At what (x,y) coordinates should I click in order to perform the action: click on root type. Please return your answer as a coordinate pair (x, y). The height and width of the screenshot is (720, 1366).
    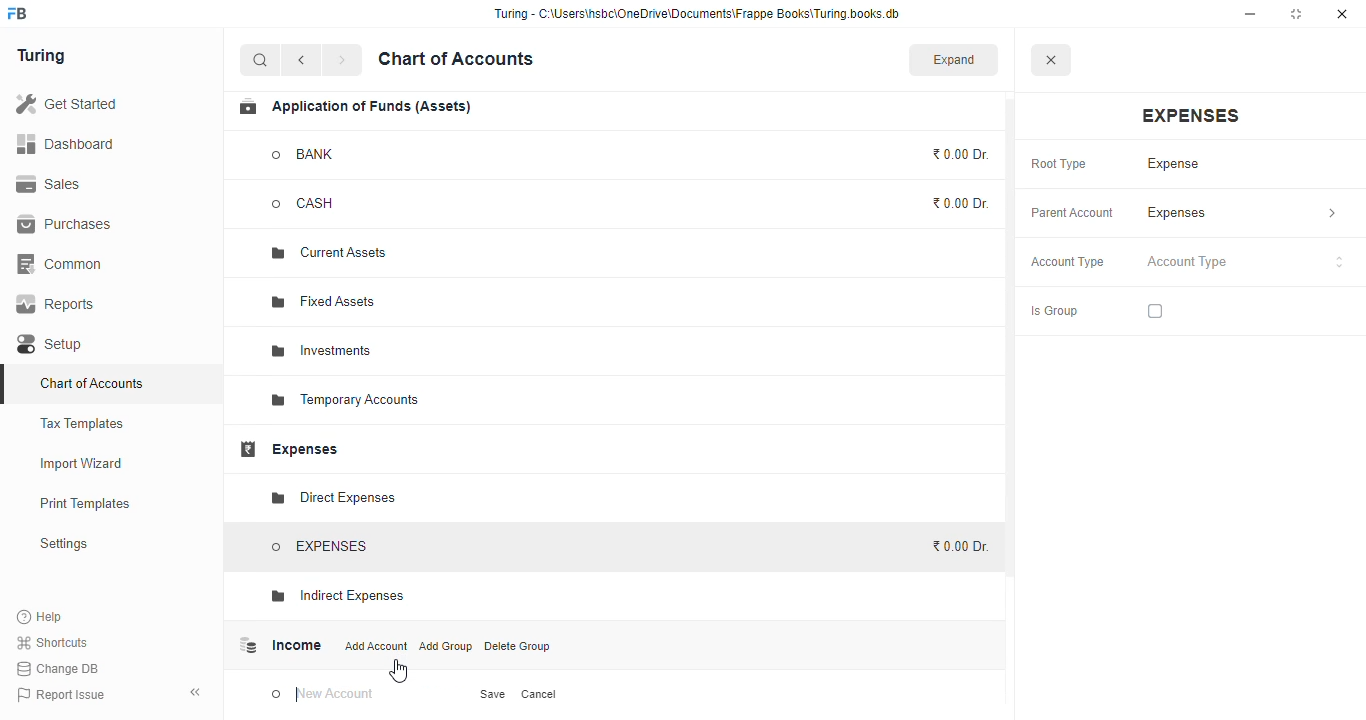
    Looking at the image, I should click on (1059, 165).